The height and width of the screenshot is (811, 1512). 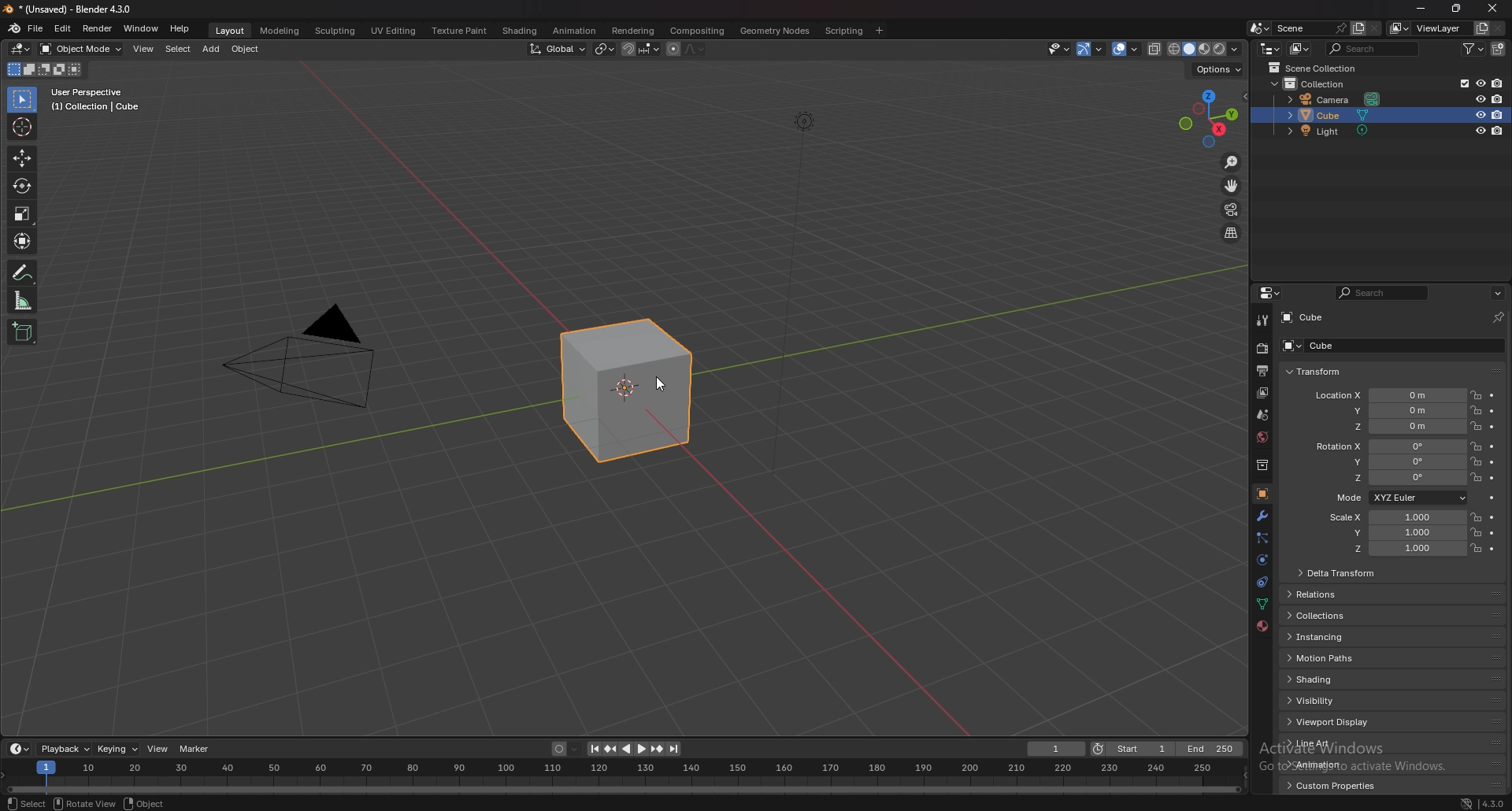 I want to click on shading, so click(x=521, y=31).